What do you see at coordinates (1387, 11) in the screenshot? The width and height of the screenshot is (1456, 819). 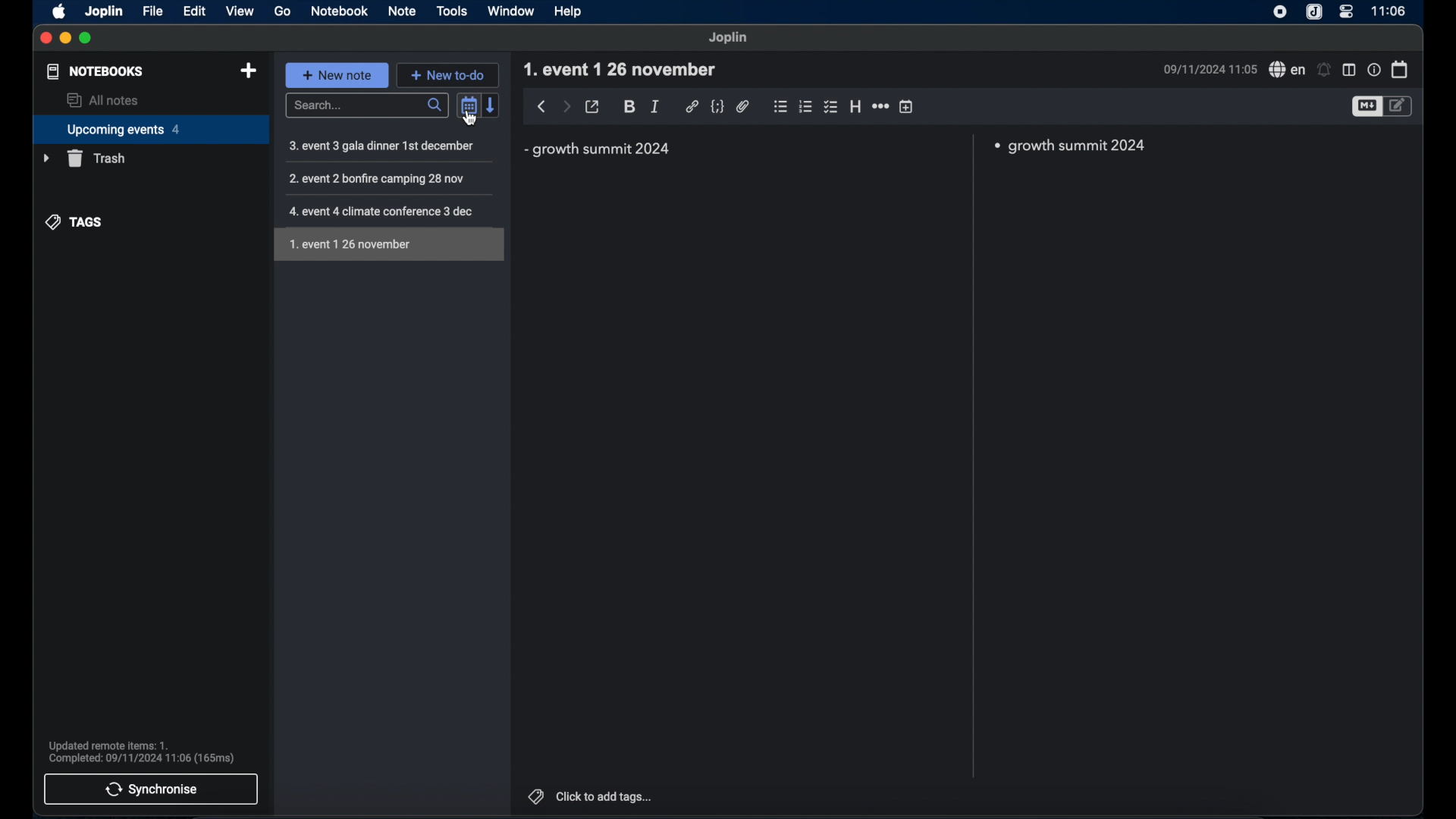 I see `11:06` at bounding box center [1387, 11].